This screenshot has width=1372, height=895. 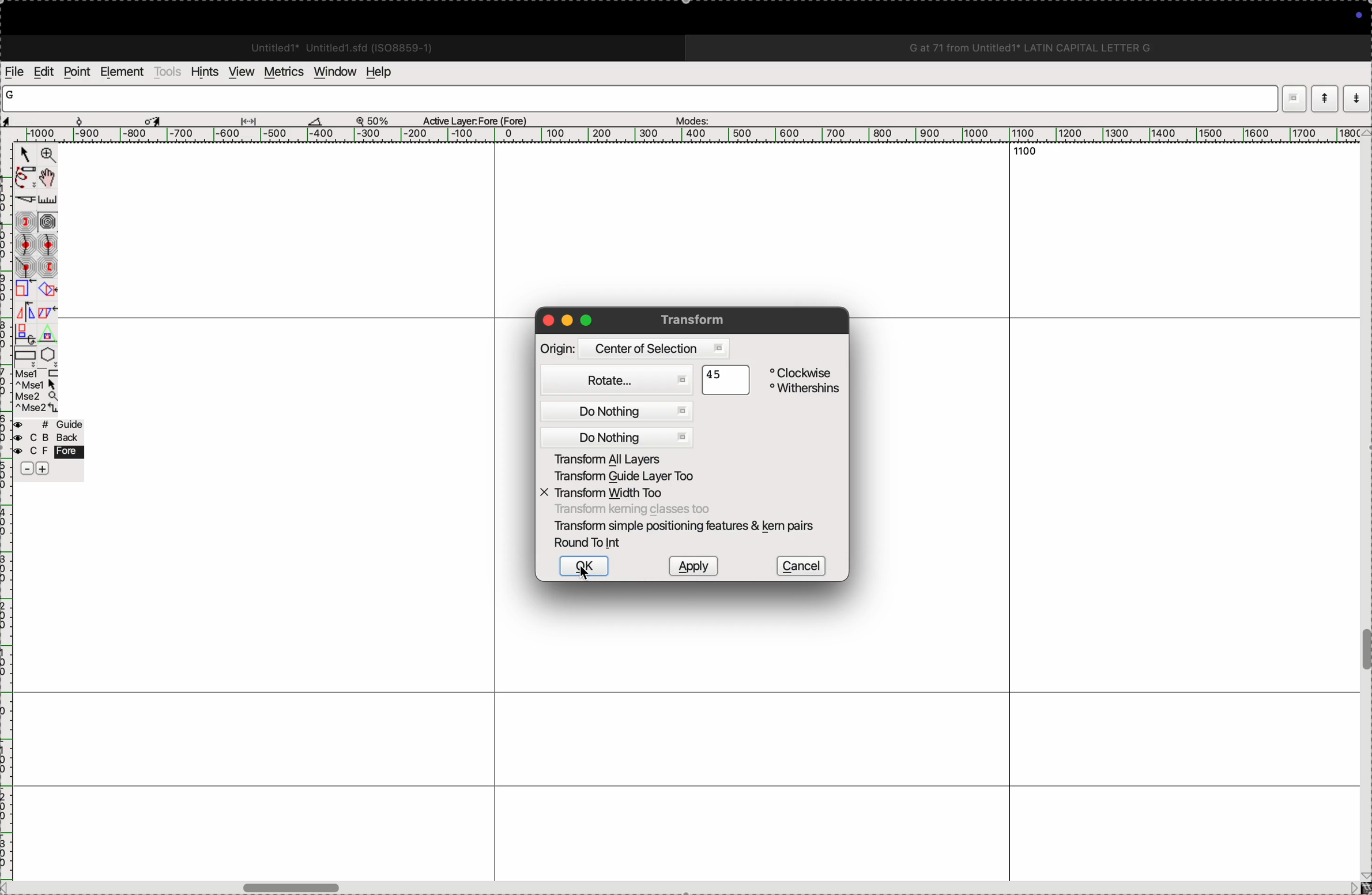 I want to click on ruler, so click(x=47, y=200).